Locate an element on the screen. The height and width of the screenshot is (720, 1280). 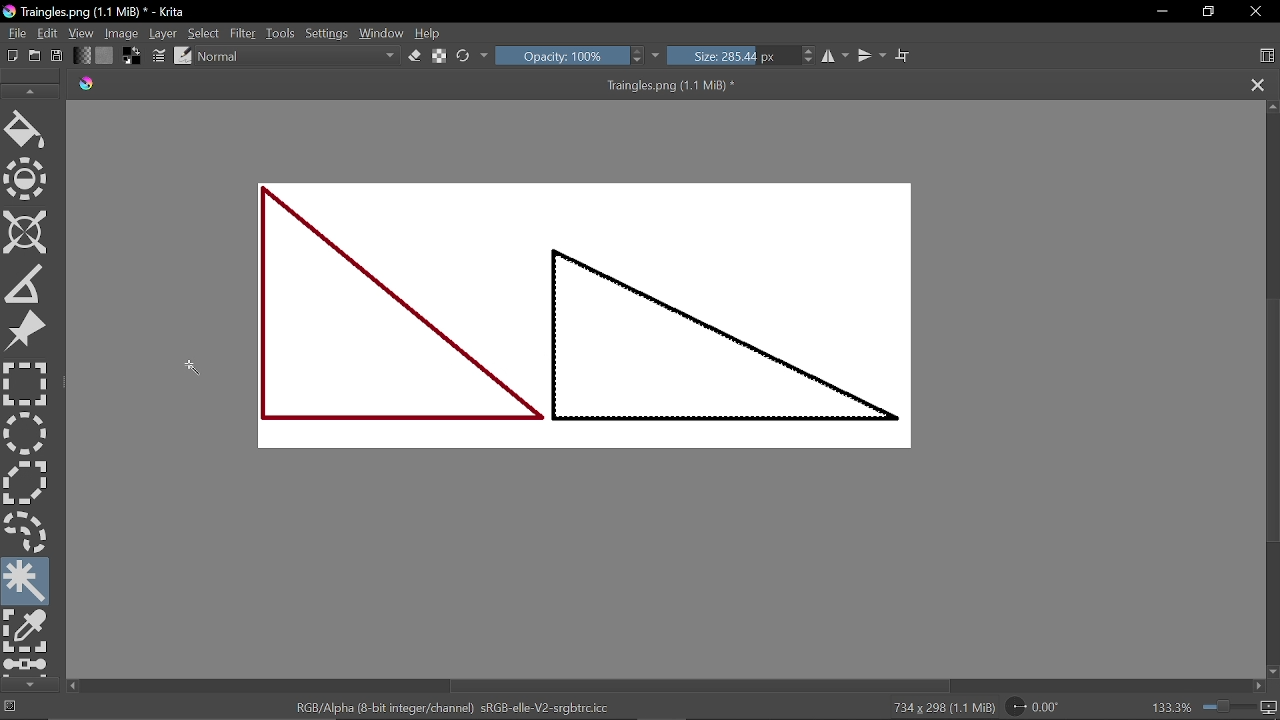
Move down is located at coordinates (1272, 673).